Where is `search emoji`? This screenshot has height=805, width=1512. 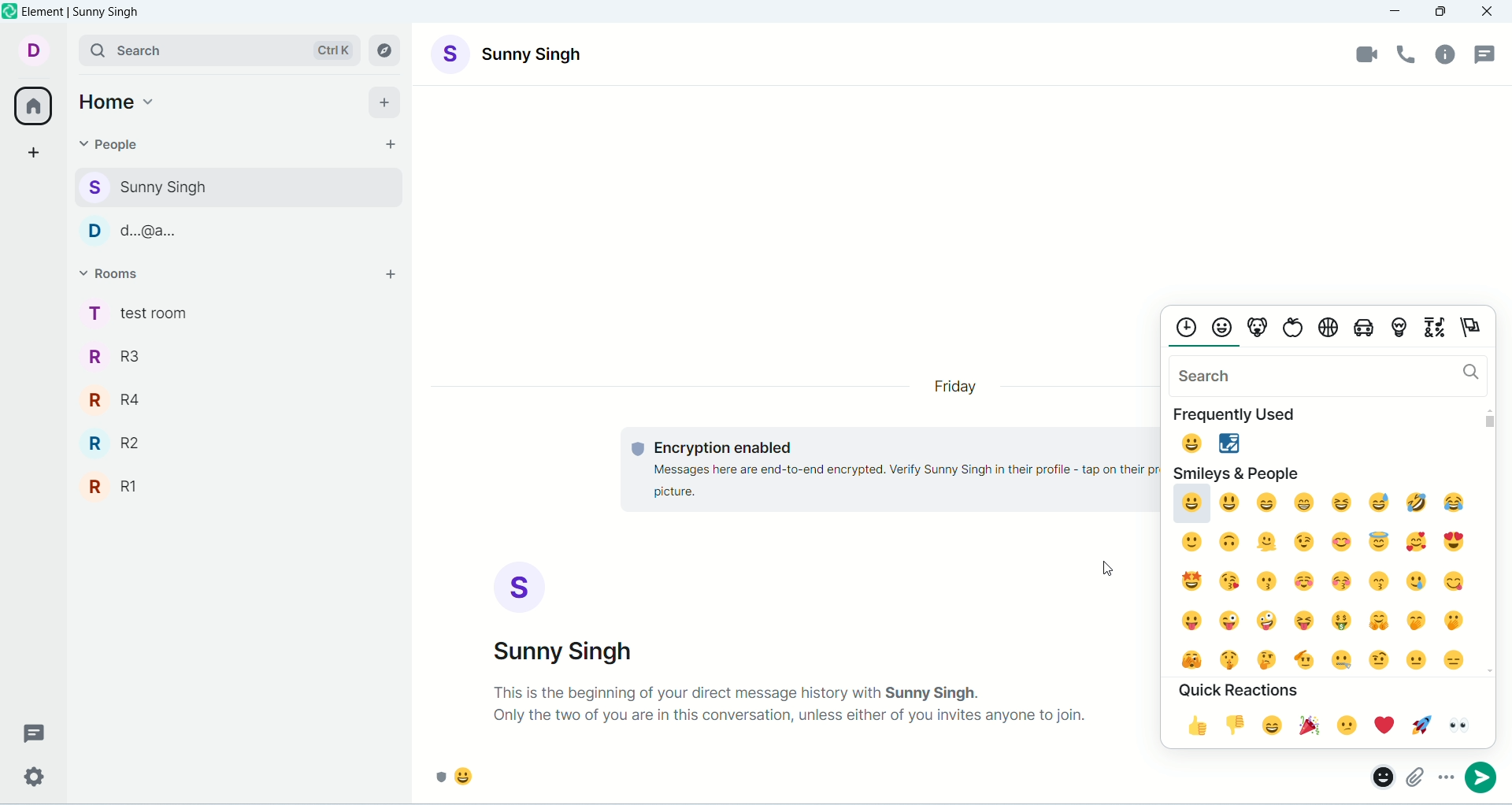
search emoji is located at coordinates (1327, 374).